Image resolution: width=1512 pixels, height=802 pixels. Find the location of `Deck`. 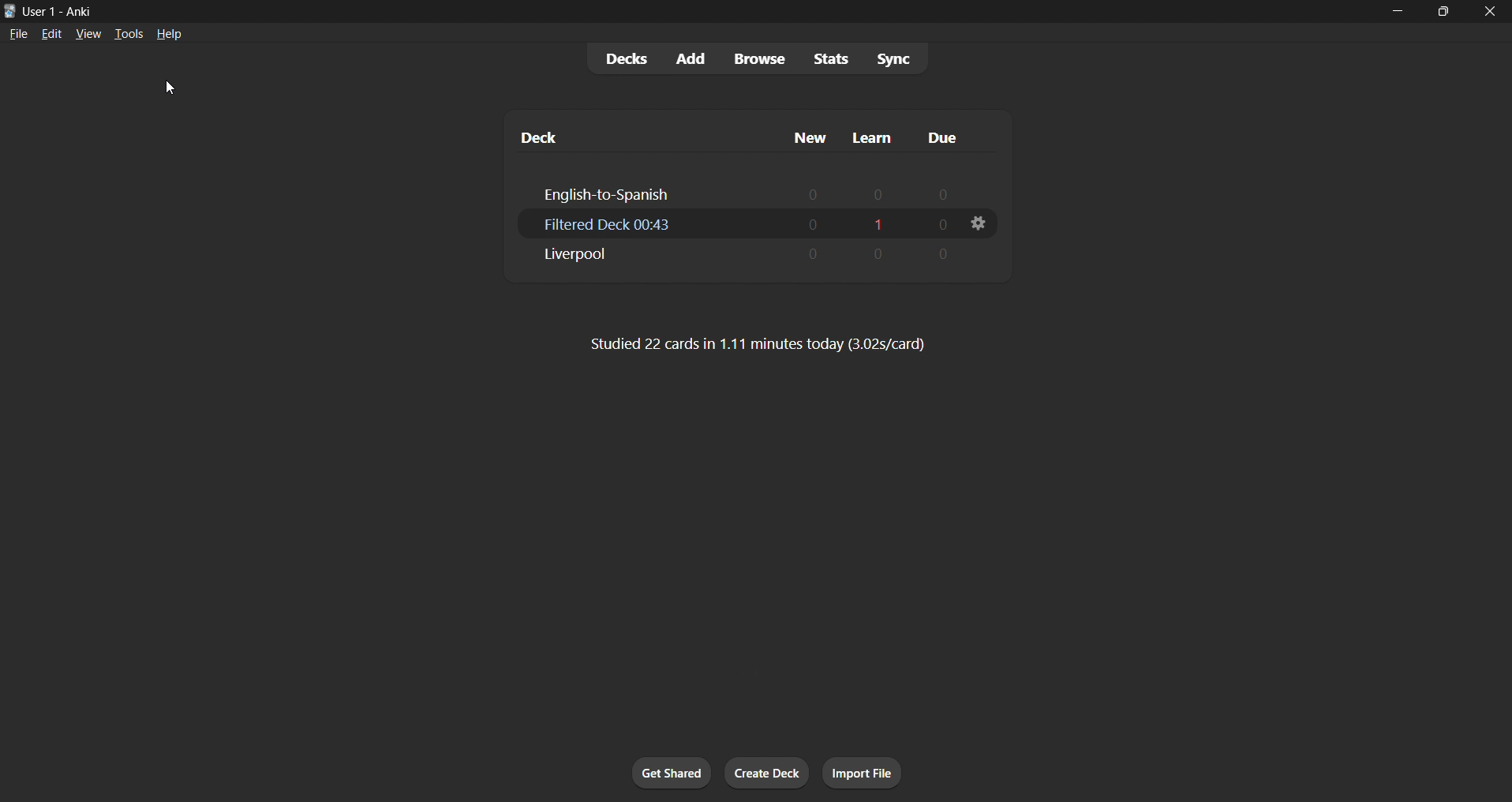

Deck is located at coordinates (531, 128).